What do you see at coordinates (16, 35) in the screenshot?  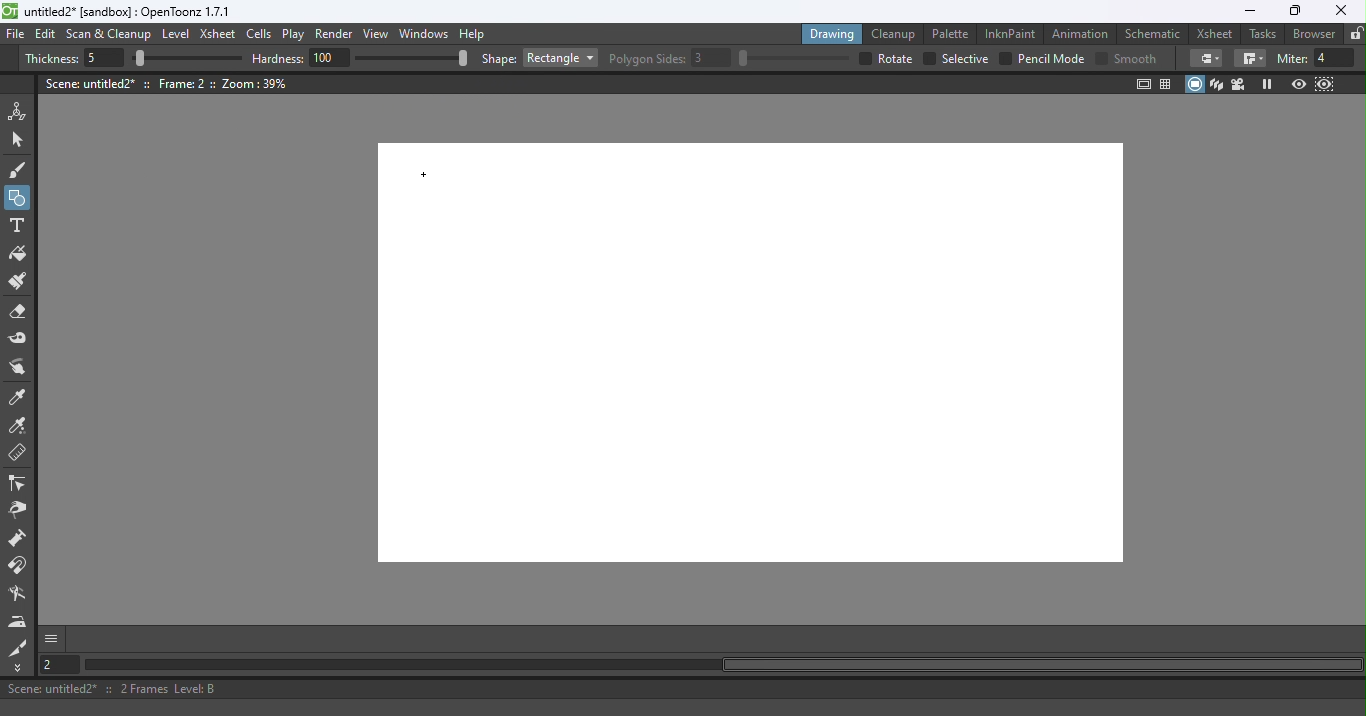 I see `File` at bounding box center [16, 35].